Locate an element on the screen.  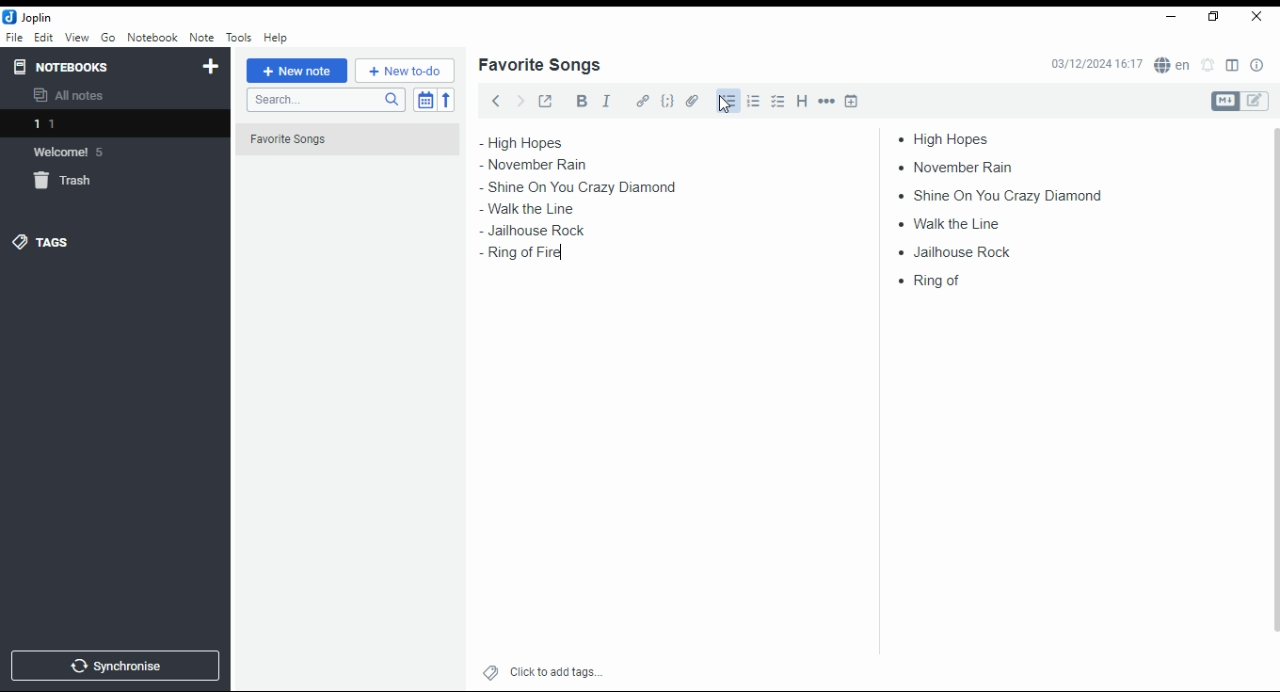
bold is located at coordinates (581, 101).